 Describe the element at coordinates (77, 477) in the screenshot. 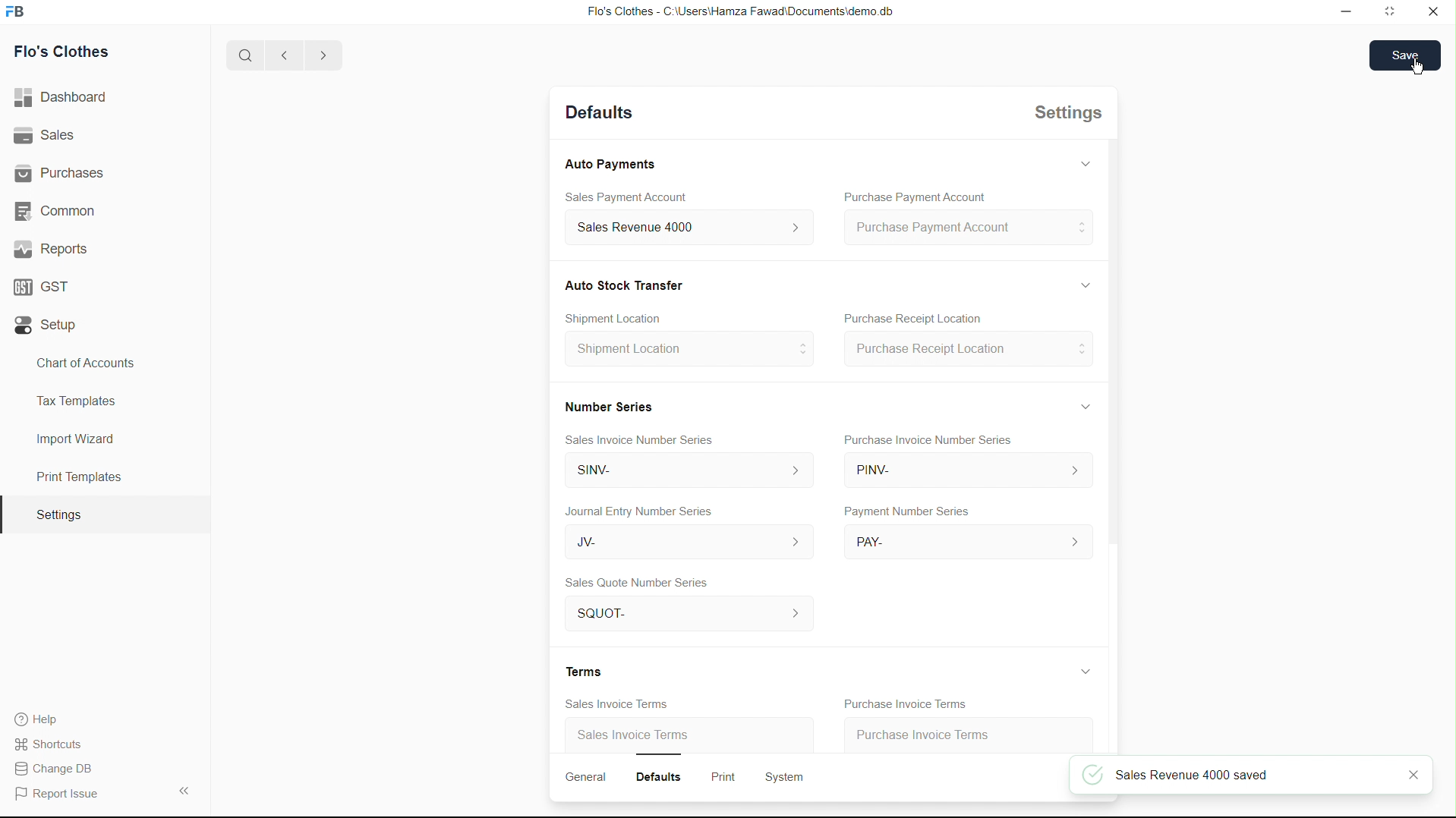

I see `Print Templates` at that location.